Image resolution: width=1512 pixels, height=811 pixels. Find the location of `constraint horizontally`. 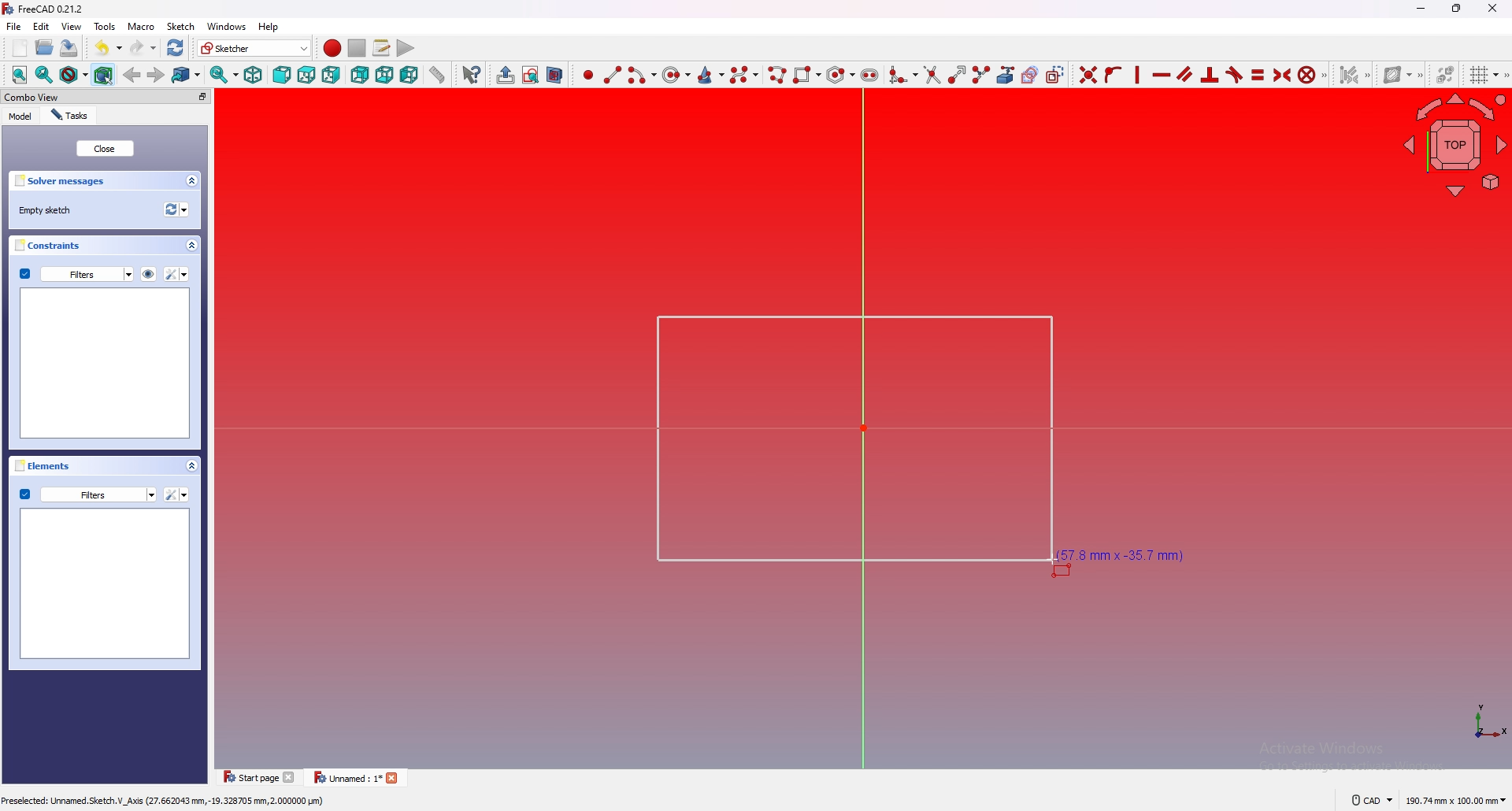

constraint horizontally is located at coordinates (1138, 74).